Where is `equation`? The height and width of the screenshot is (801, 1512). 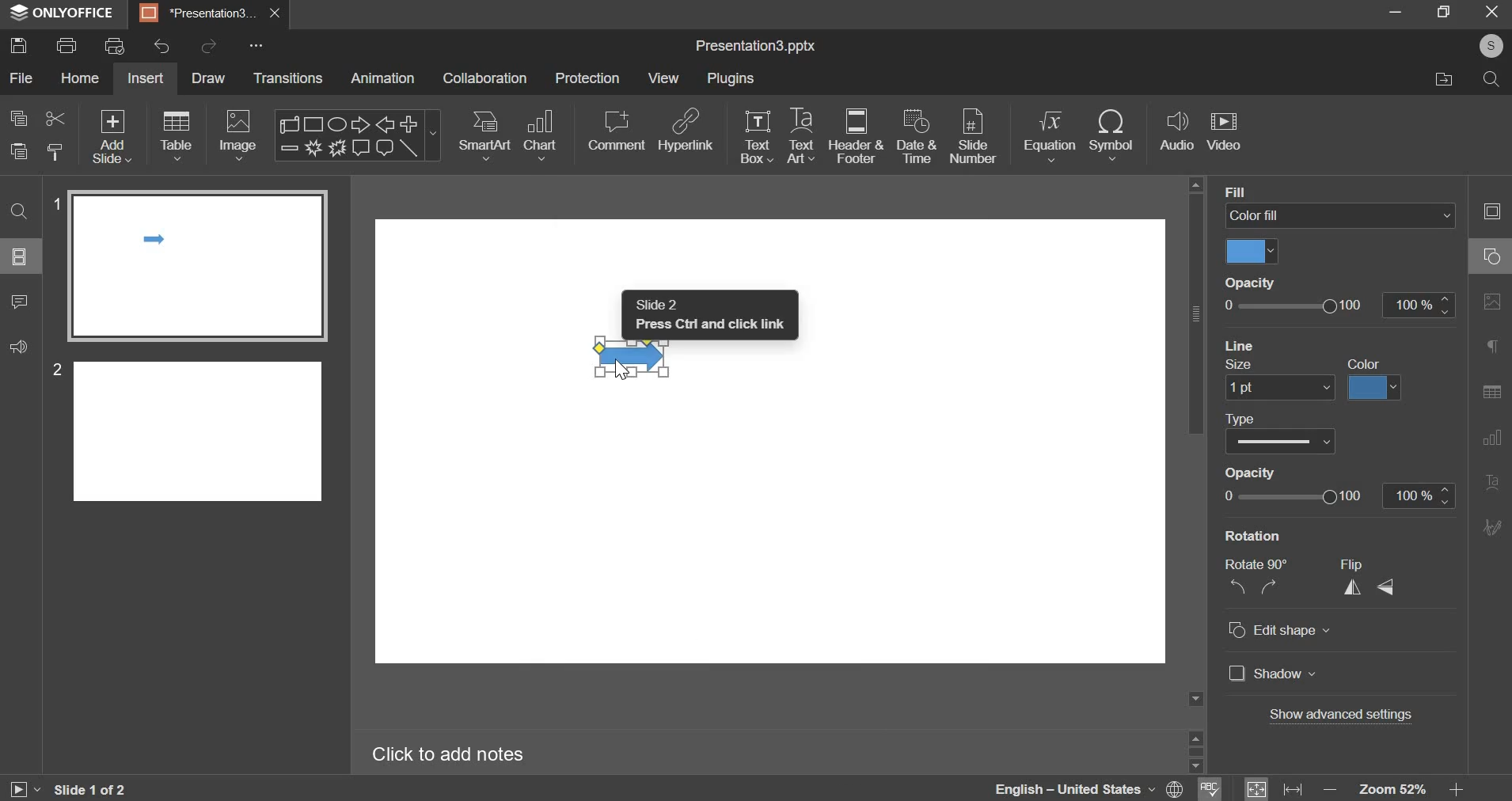 equation is located at coordinates (1049, 135).